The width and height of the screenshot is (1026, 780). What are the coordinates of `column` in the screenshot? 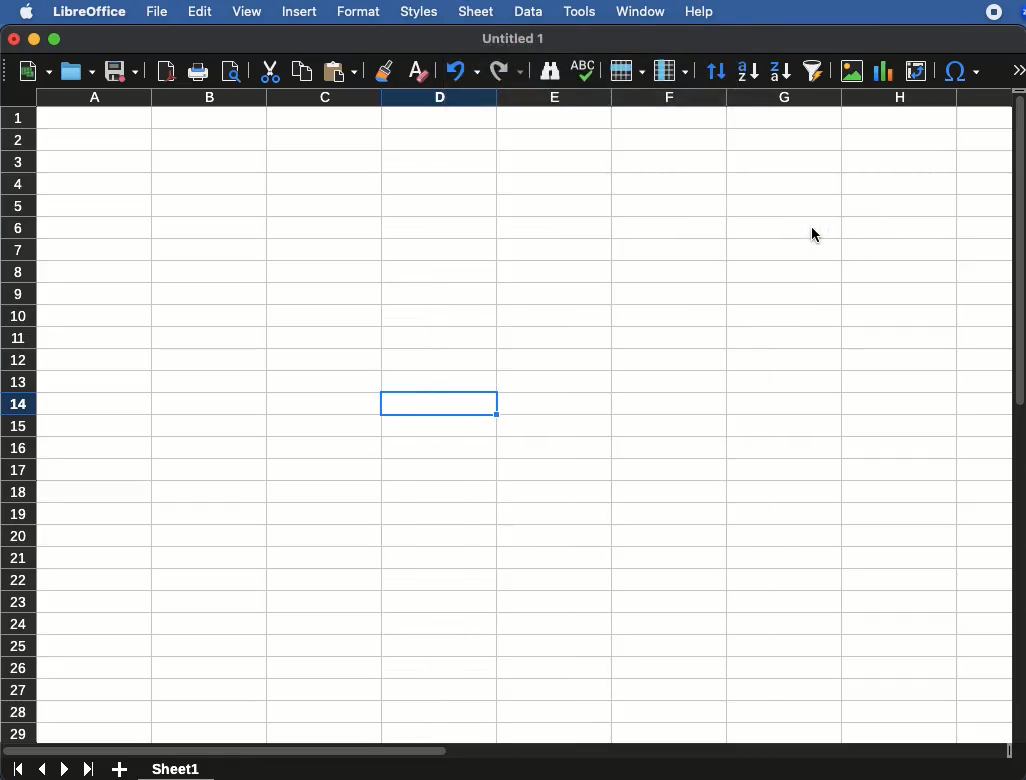 It's located at (670, 69).